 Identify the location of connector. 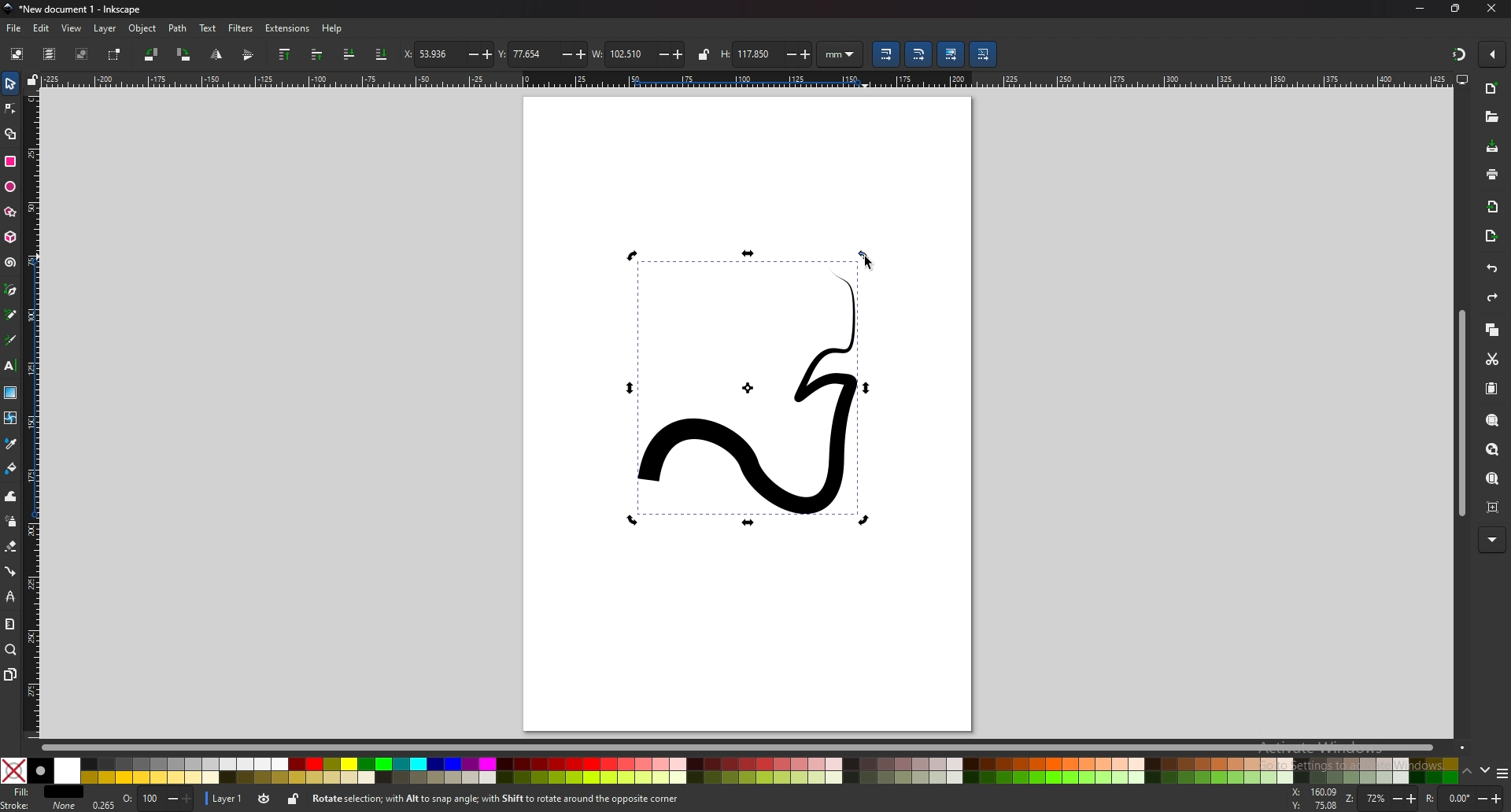
(11, 571).